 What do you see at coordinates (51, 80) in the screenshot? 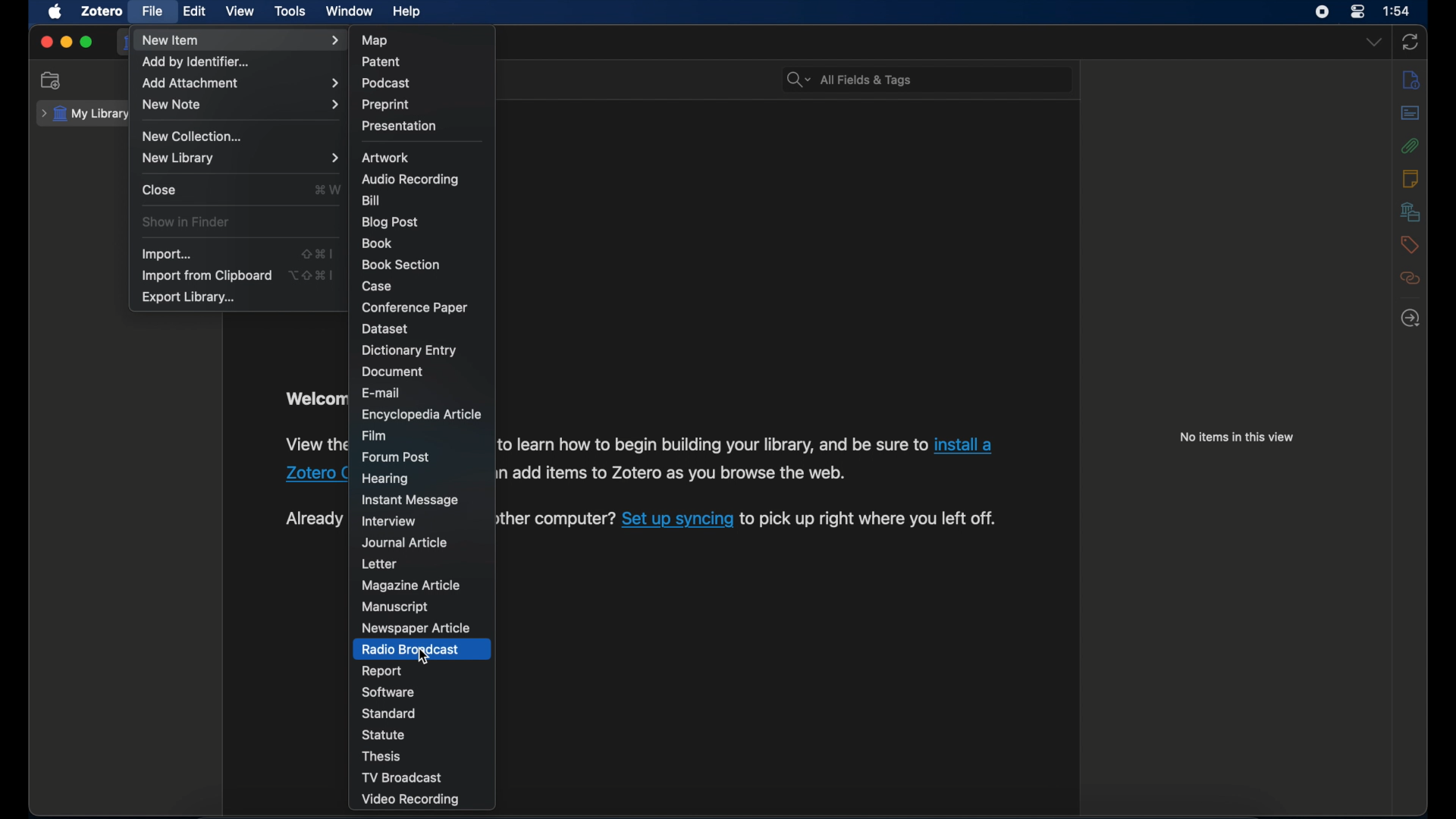
I see `new collection` at bounding box center [51, 80].